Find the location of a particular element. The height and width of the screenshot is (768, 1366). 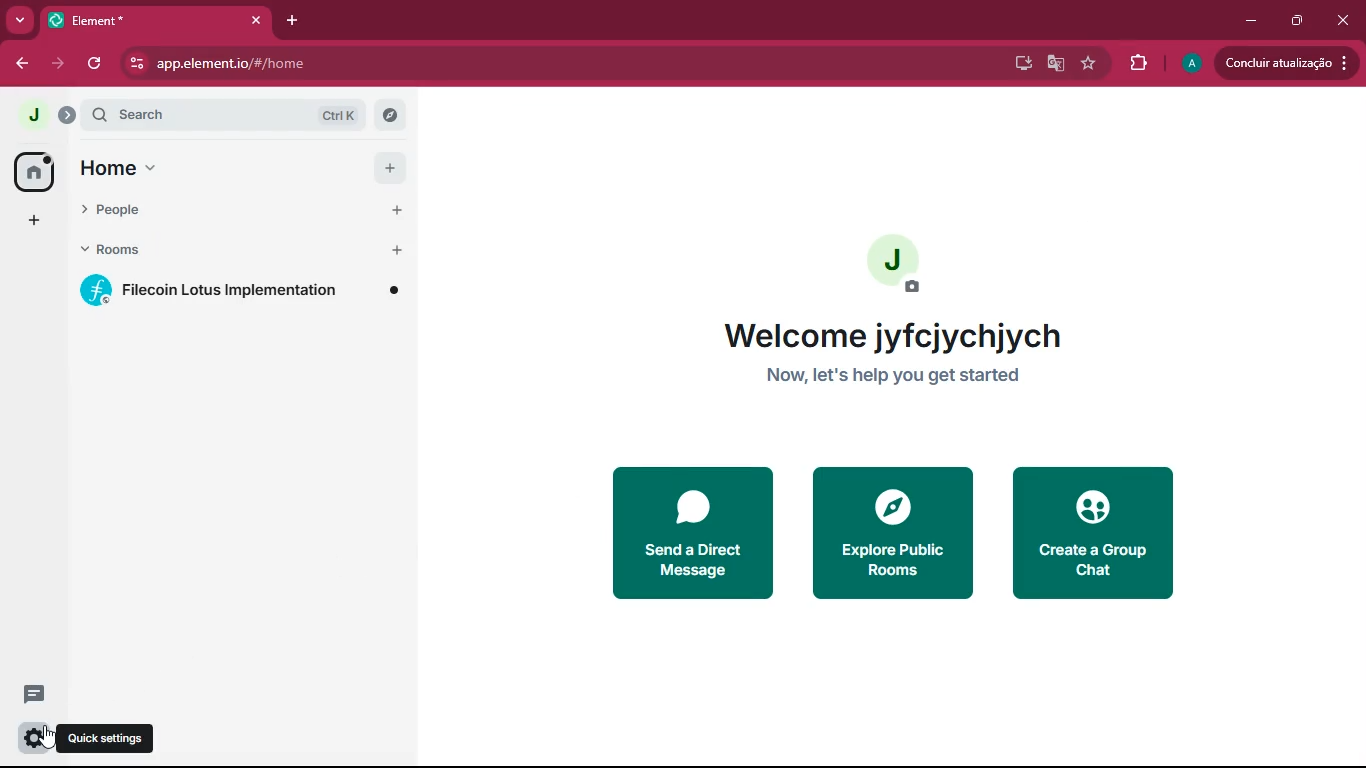

url is located at coordinates (289, 64).